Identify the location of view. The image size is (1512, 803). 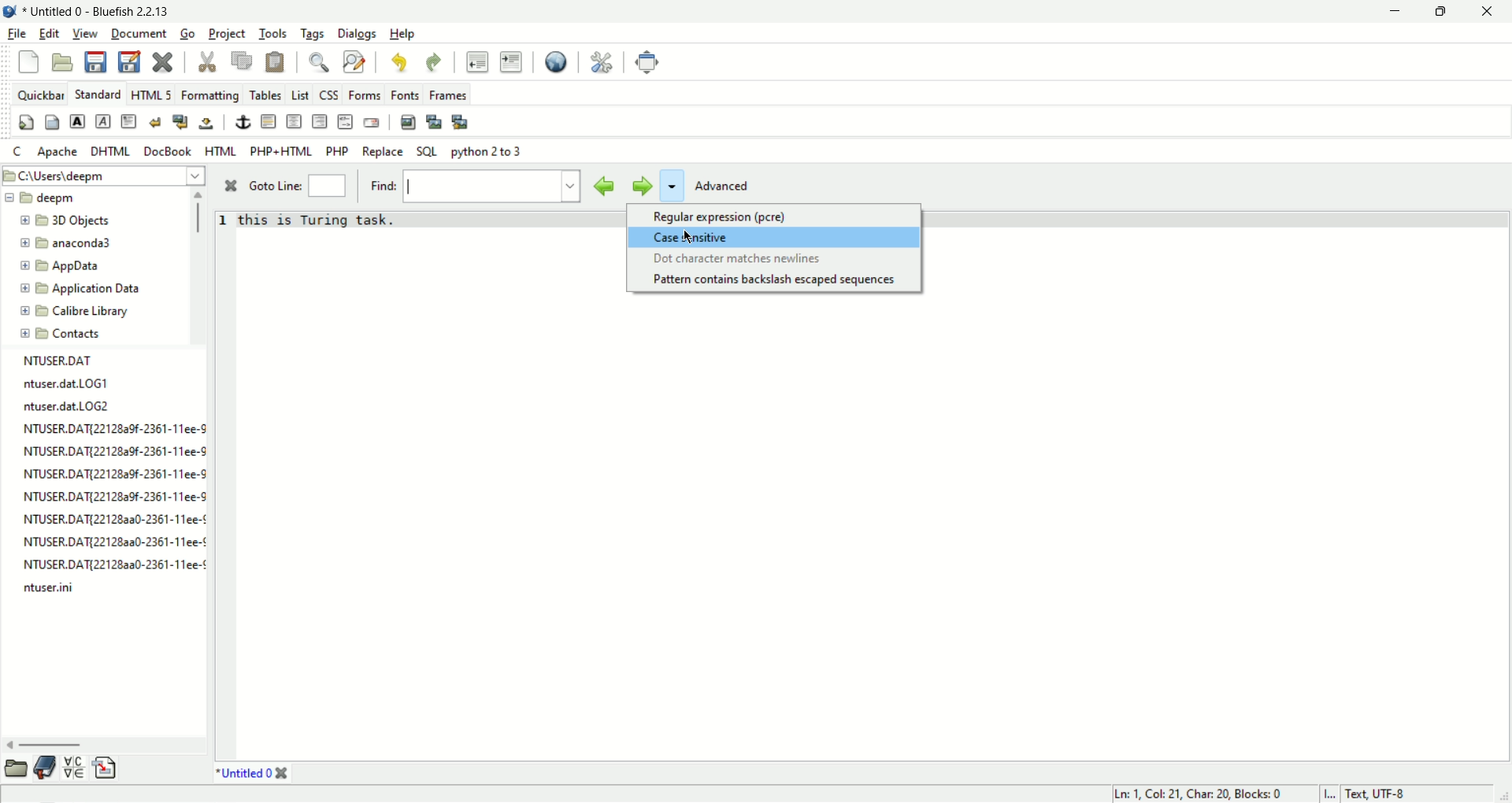
(84, 34).